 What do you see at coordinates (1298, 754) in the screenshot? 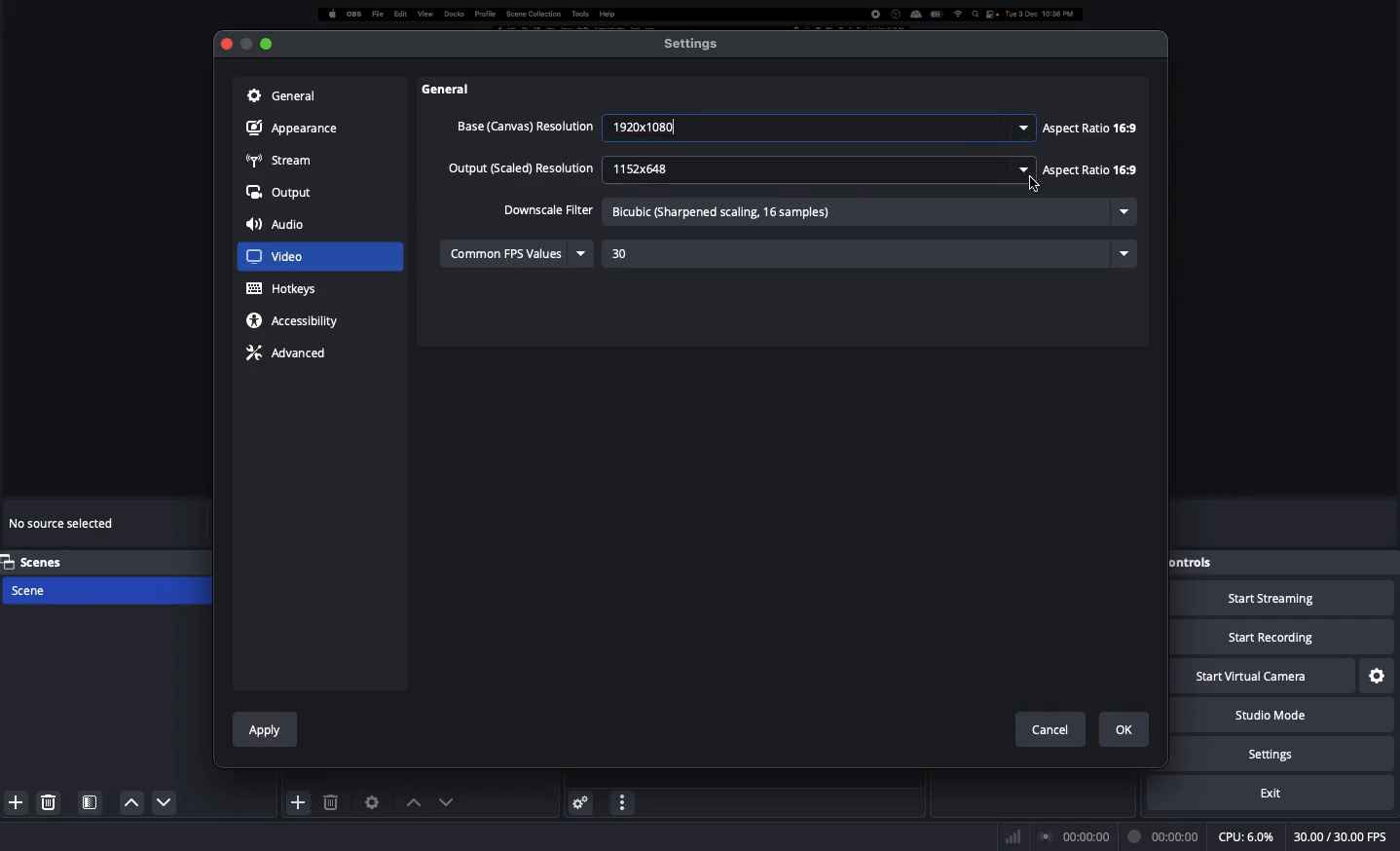
I see `Settings` at bounding box center [1298, 754].